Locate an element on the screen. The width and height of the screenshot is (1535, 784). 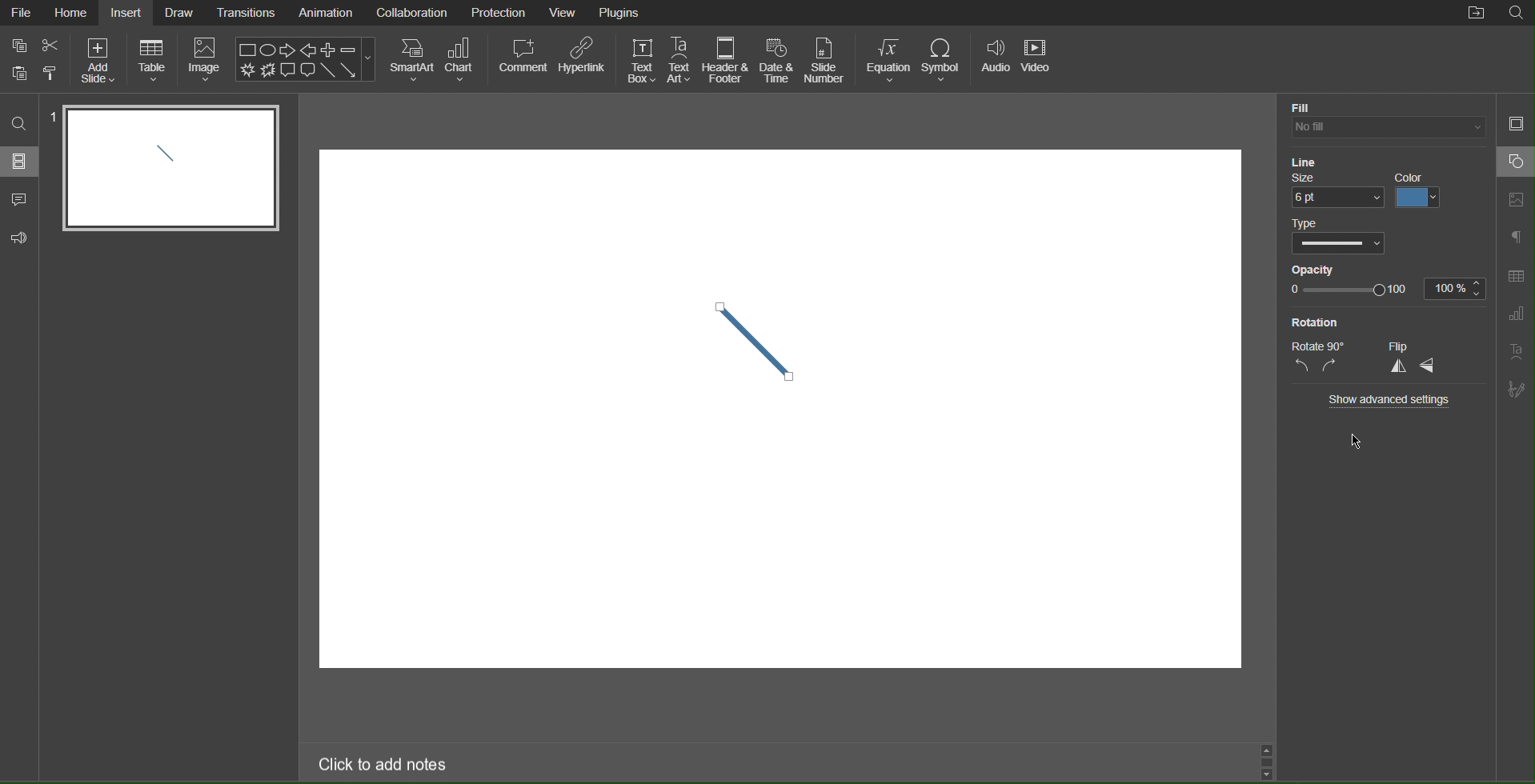
Open File Location is located at coordinates (1477, 14).